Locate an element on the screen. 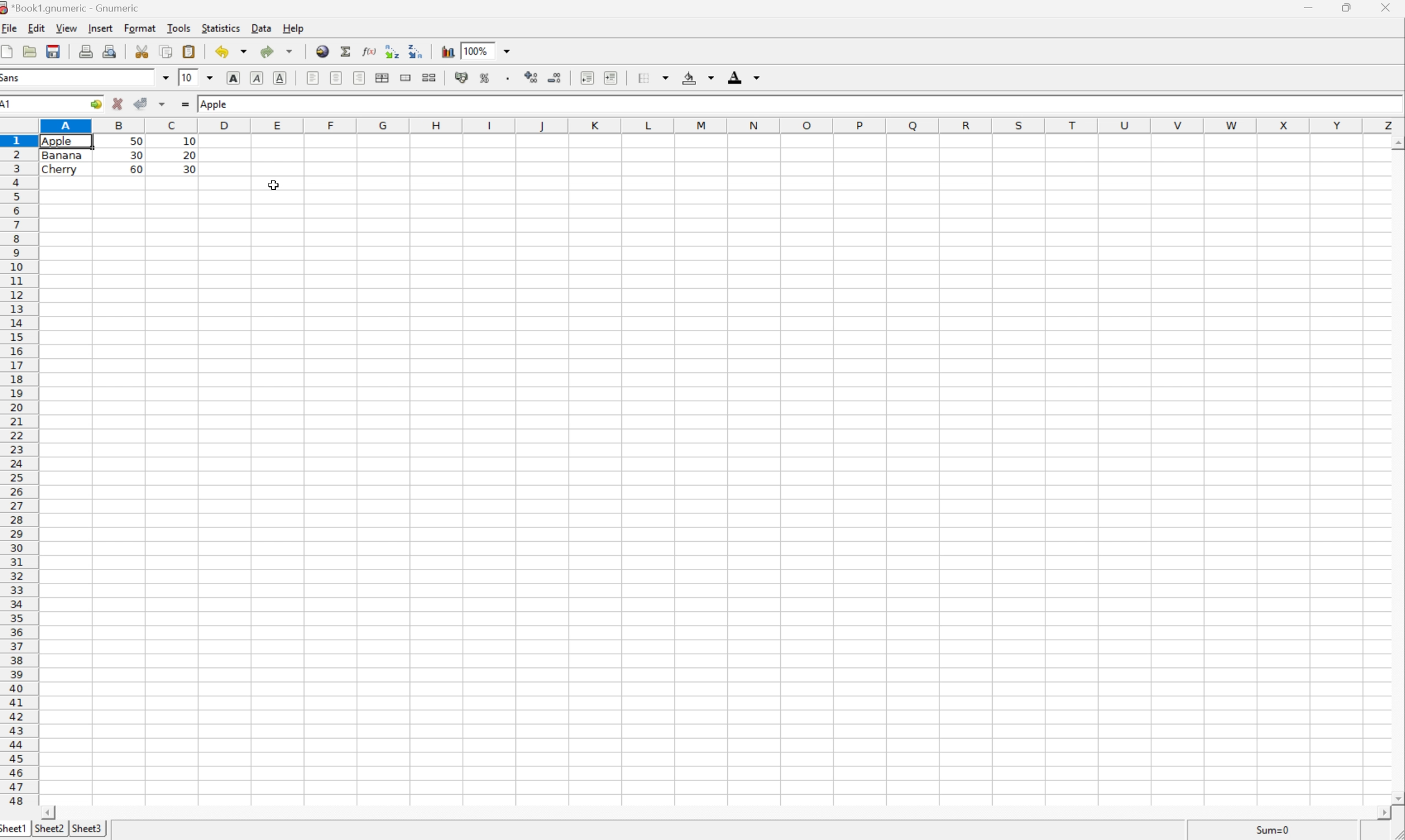 Image resolution: width=1405 pixels, height=840 pixels. save is located at coordinates (30, 50).